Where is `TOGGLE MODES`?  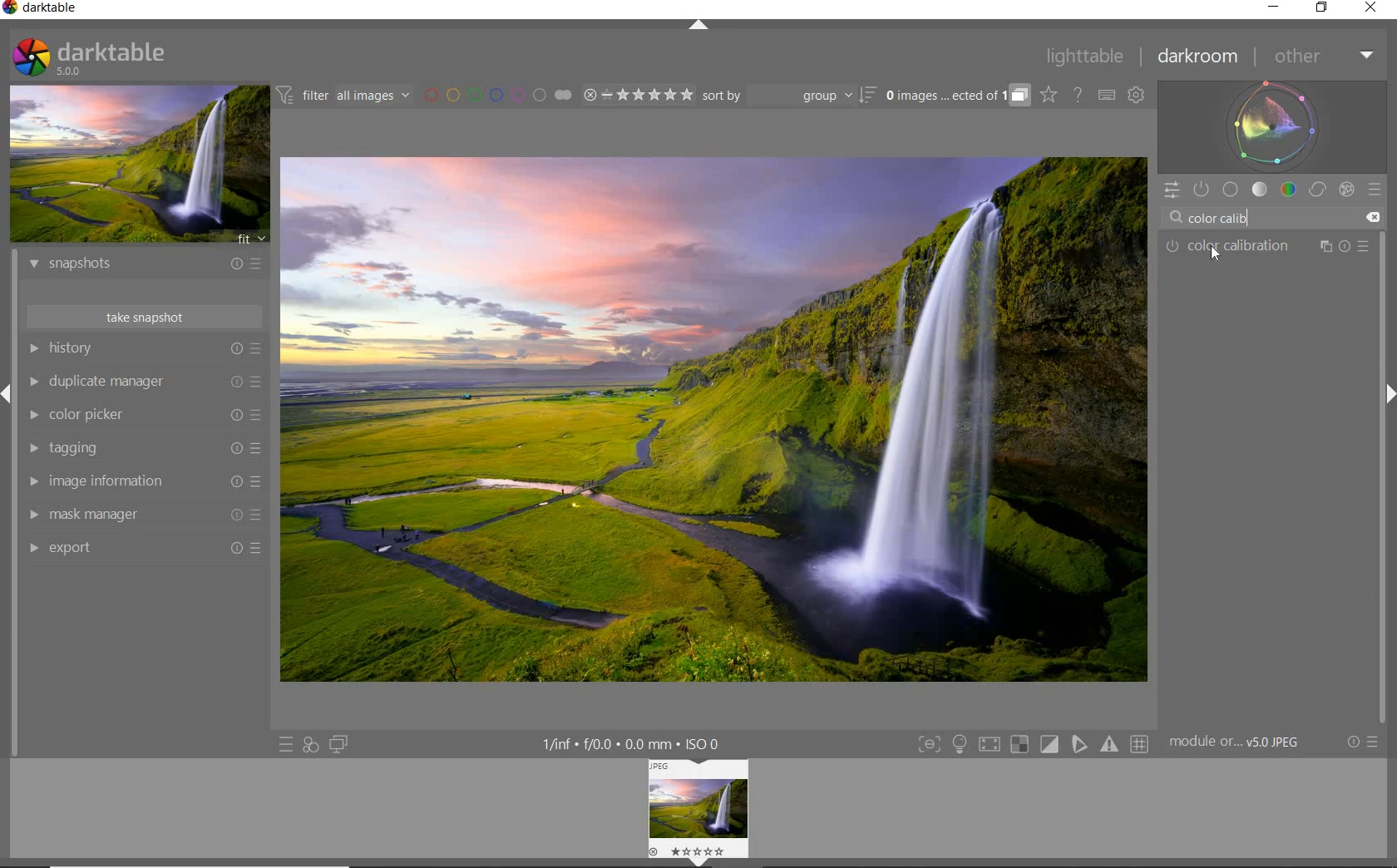
TOGGLE MODES is located at coordinates (1032, 745).